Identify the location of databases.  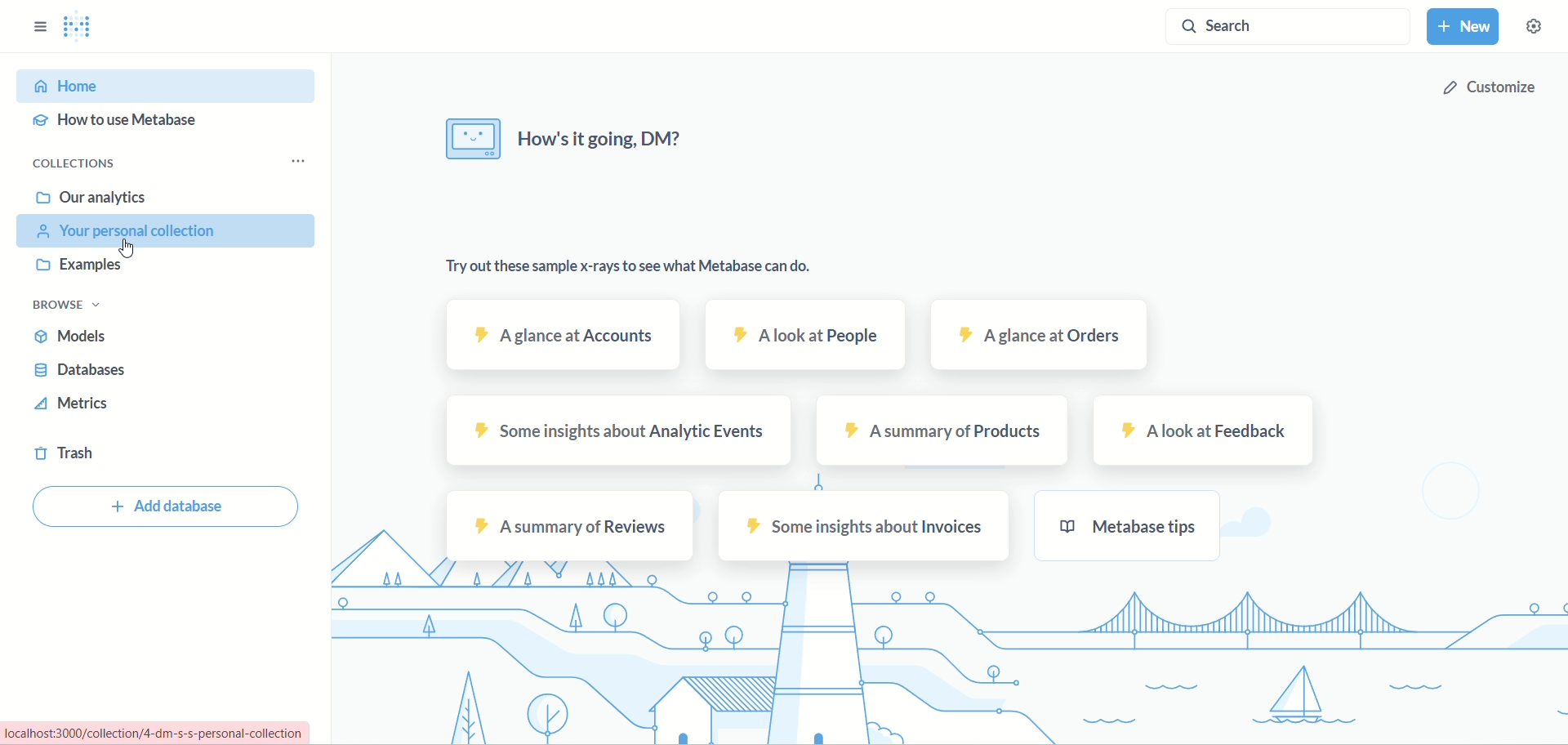
(82, 372).